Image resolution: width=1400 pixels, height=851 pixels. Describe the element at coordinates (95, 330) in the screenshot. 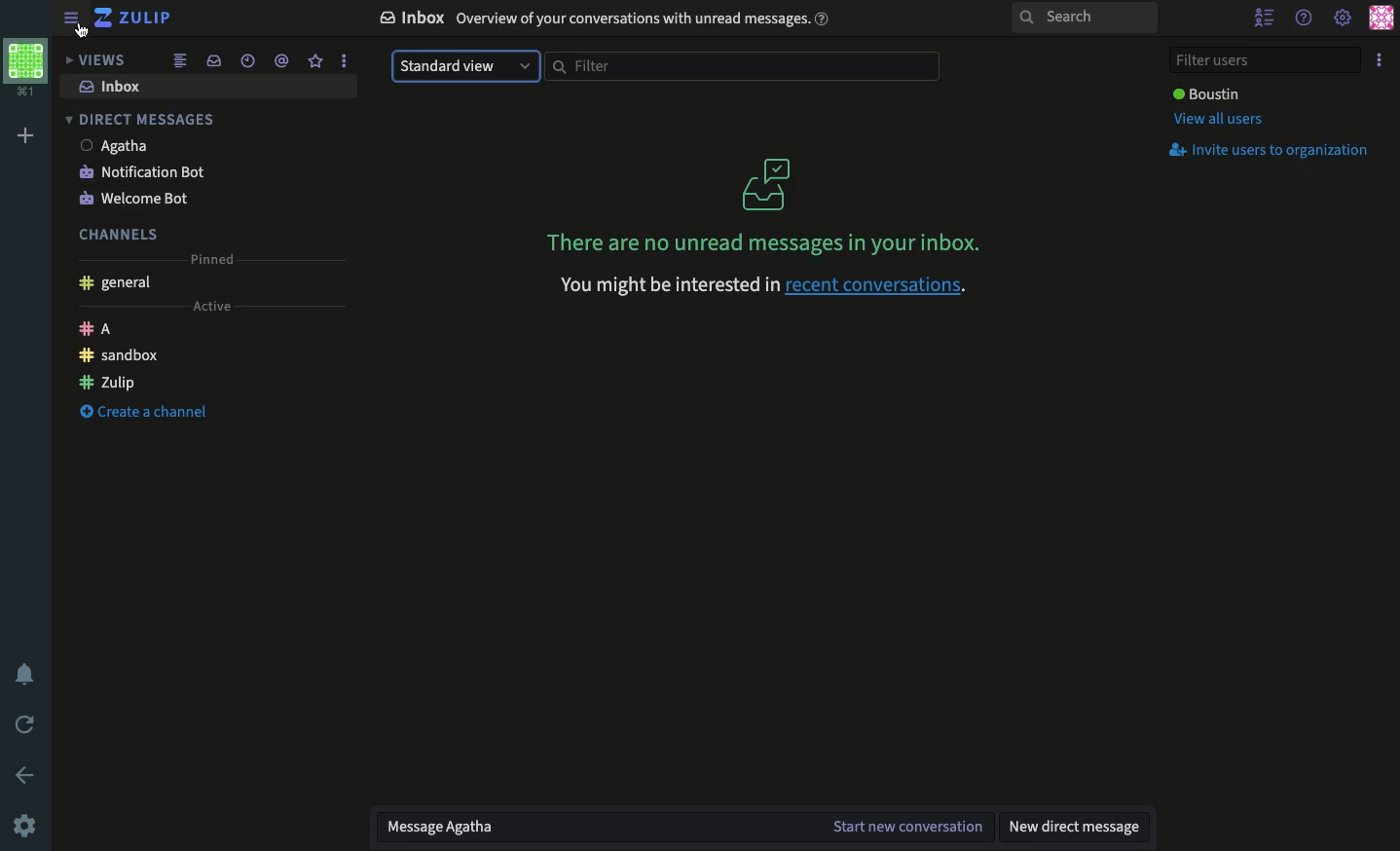

I see `A` at that location.